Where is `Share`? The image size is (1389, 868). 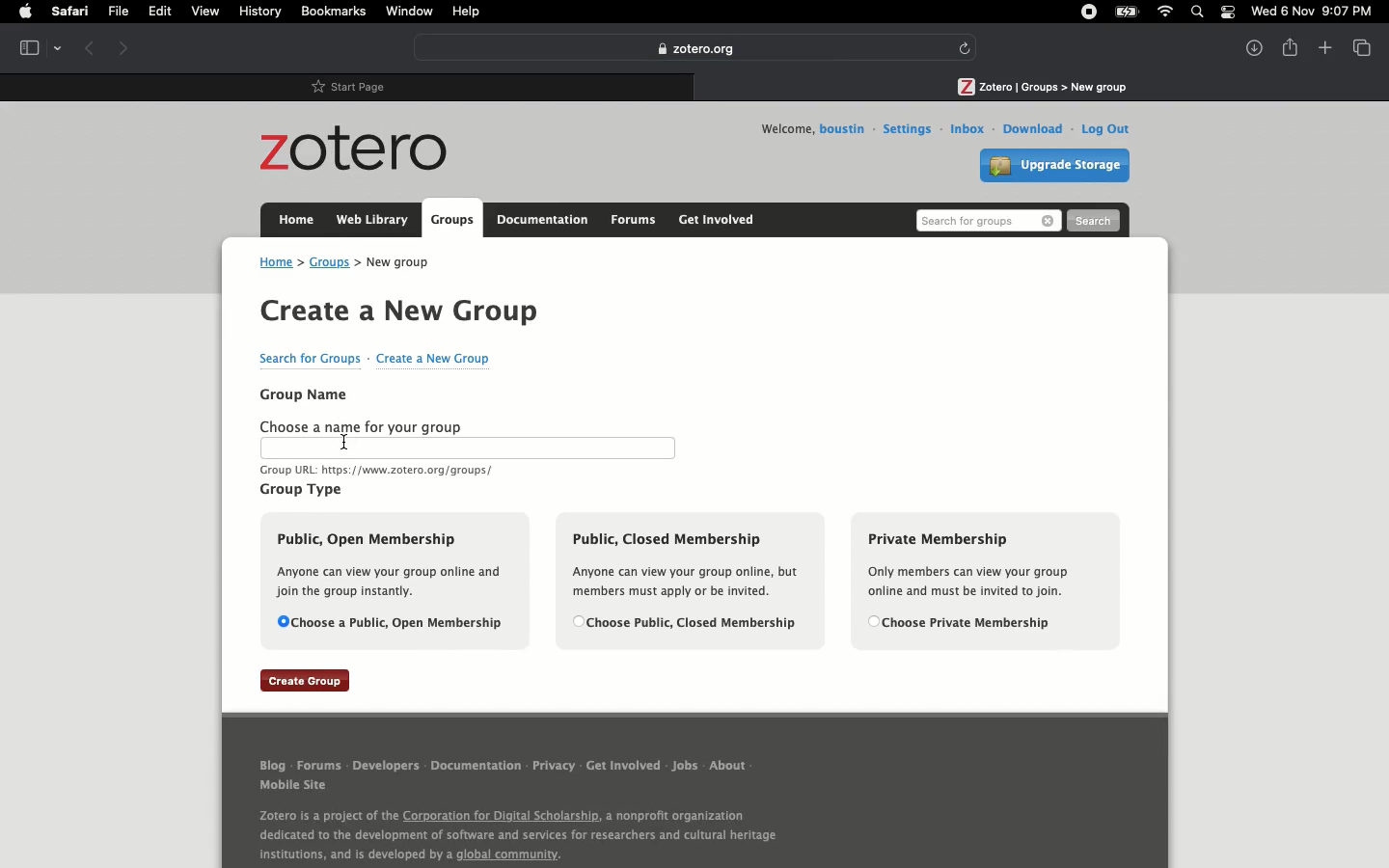 Share is located at coordinates (1291, 46).